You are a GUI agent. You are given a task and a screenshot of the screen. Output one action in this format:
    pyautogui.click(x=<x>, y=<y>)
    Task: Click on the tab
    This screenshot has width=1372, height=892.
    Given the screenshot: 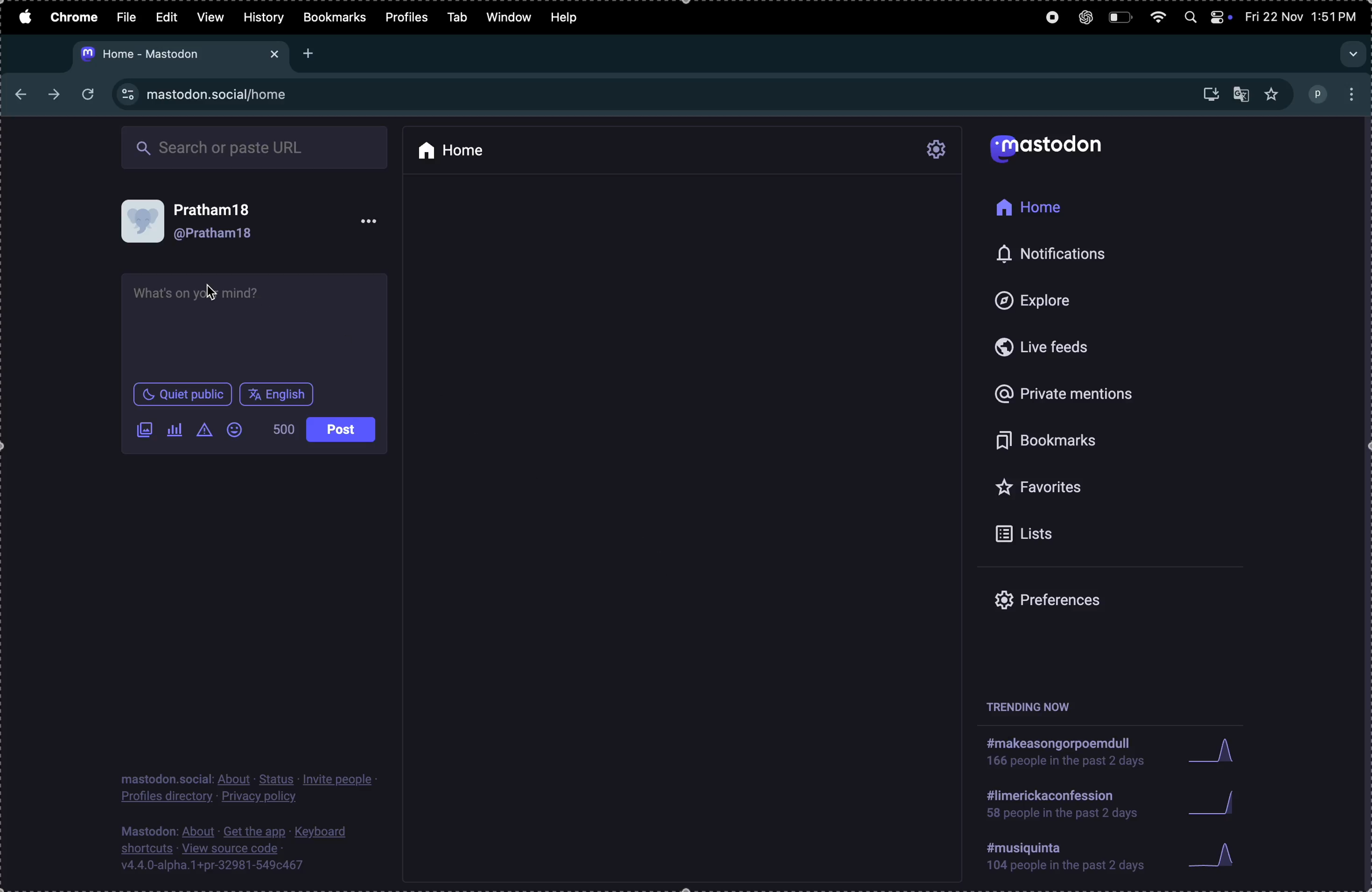 What is the action you would take?
    pyautogui.click(x=455, y=17)
    